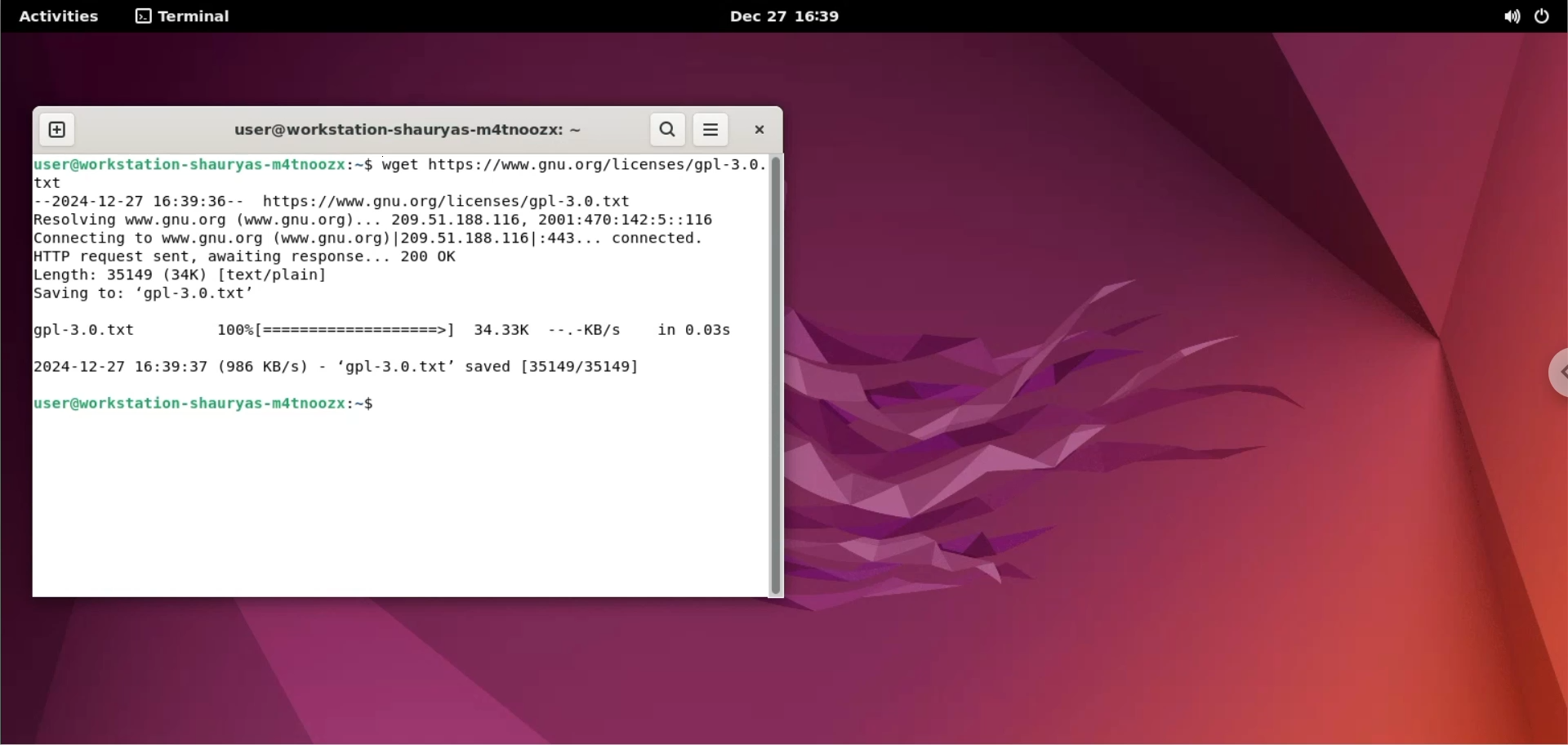 This screenshot has height=745, width=1568. Describe the element at coordinates (777, 374) in the screenshot. I see `scroll bar` at that location.